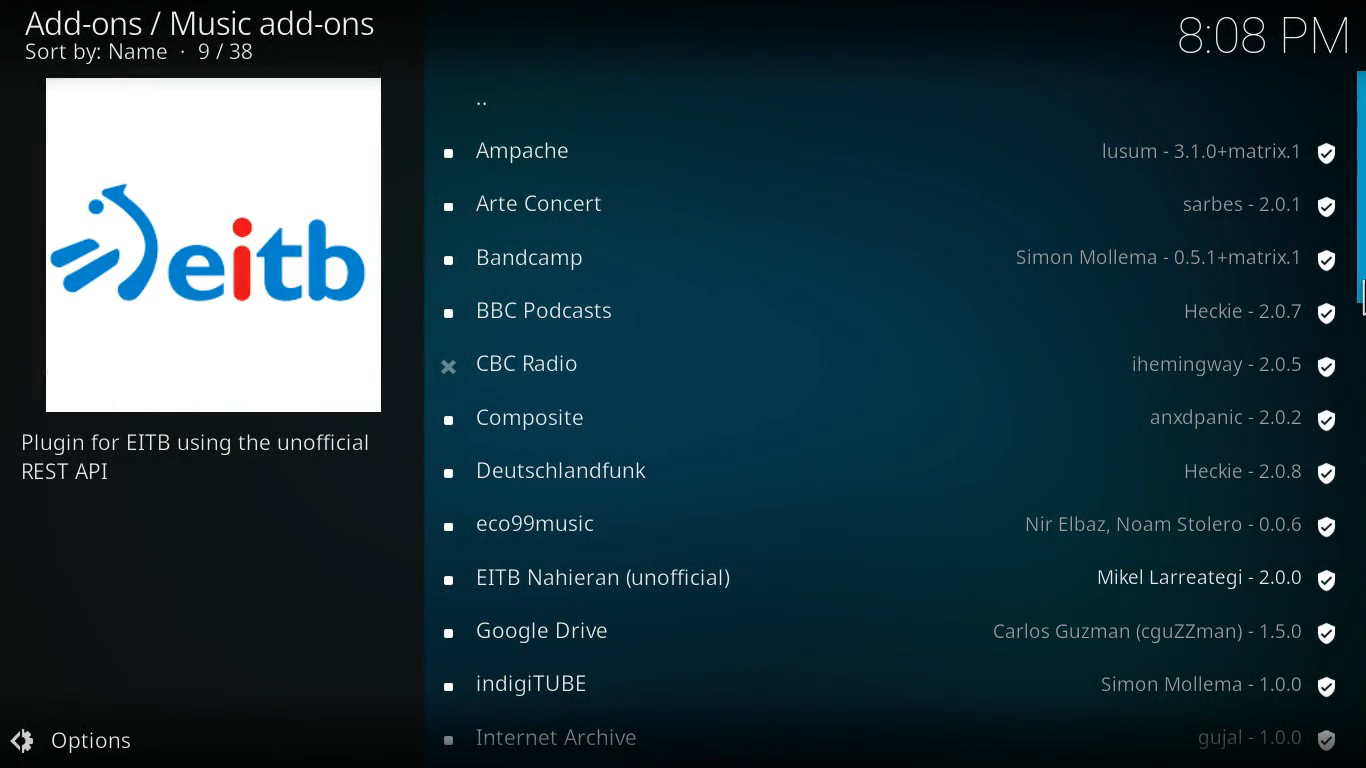 The height and width of the screenshot is (768, 1366). Describe the element at coordinates (1211, 687) in the screenshot. I see `provide` at that location.